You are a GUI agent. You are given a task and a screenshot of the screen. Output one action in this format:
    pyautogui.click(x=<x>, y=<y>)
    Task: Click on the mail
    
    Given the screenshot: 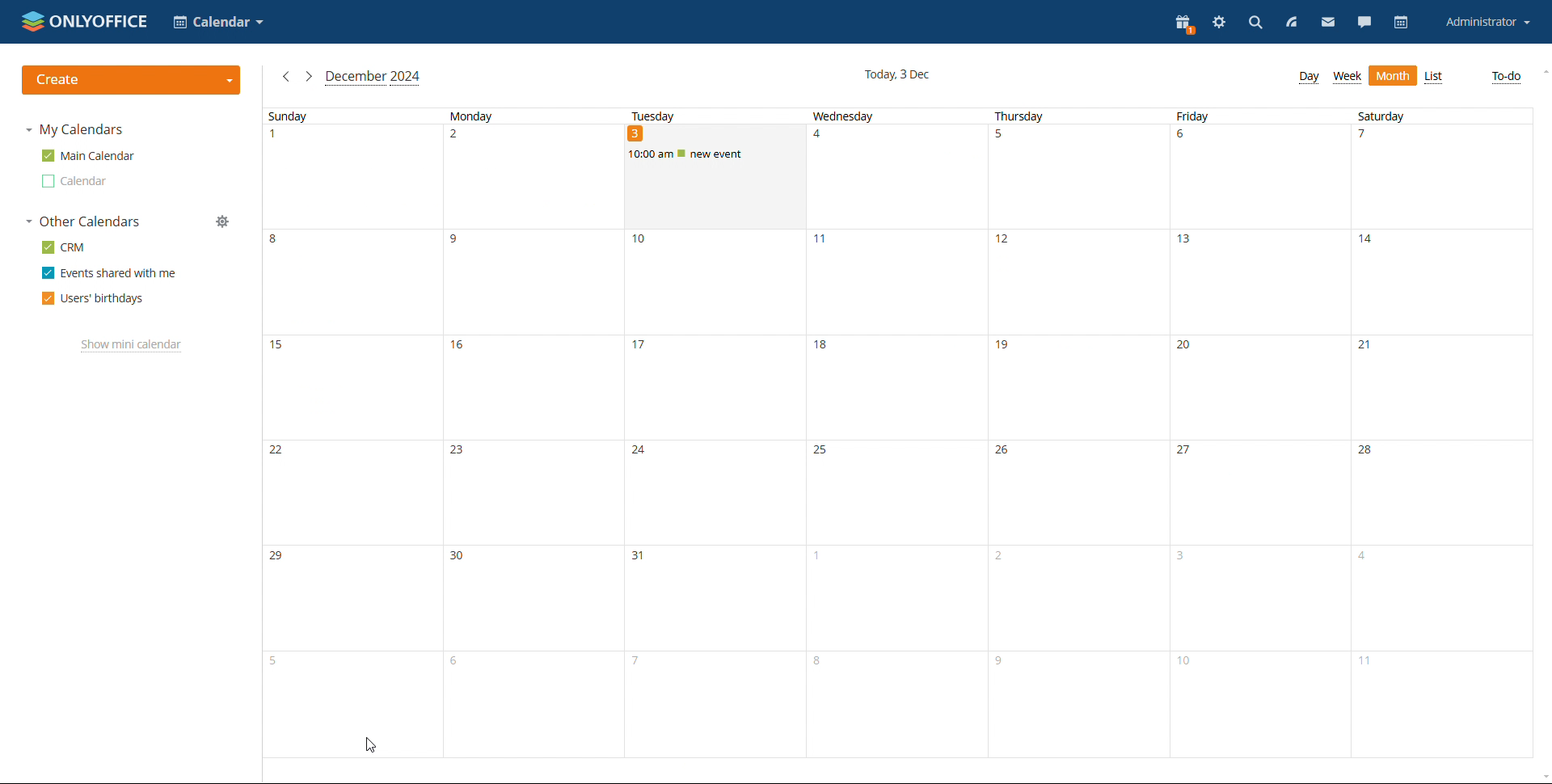 What is the action you would take?
    pyautogui.click(x=1329, y=22)
    